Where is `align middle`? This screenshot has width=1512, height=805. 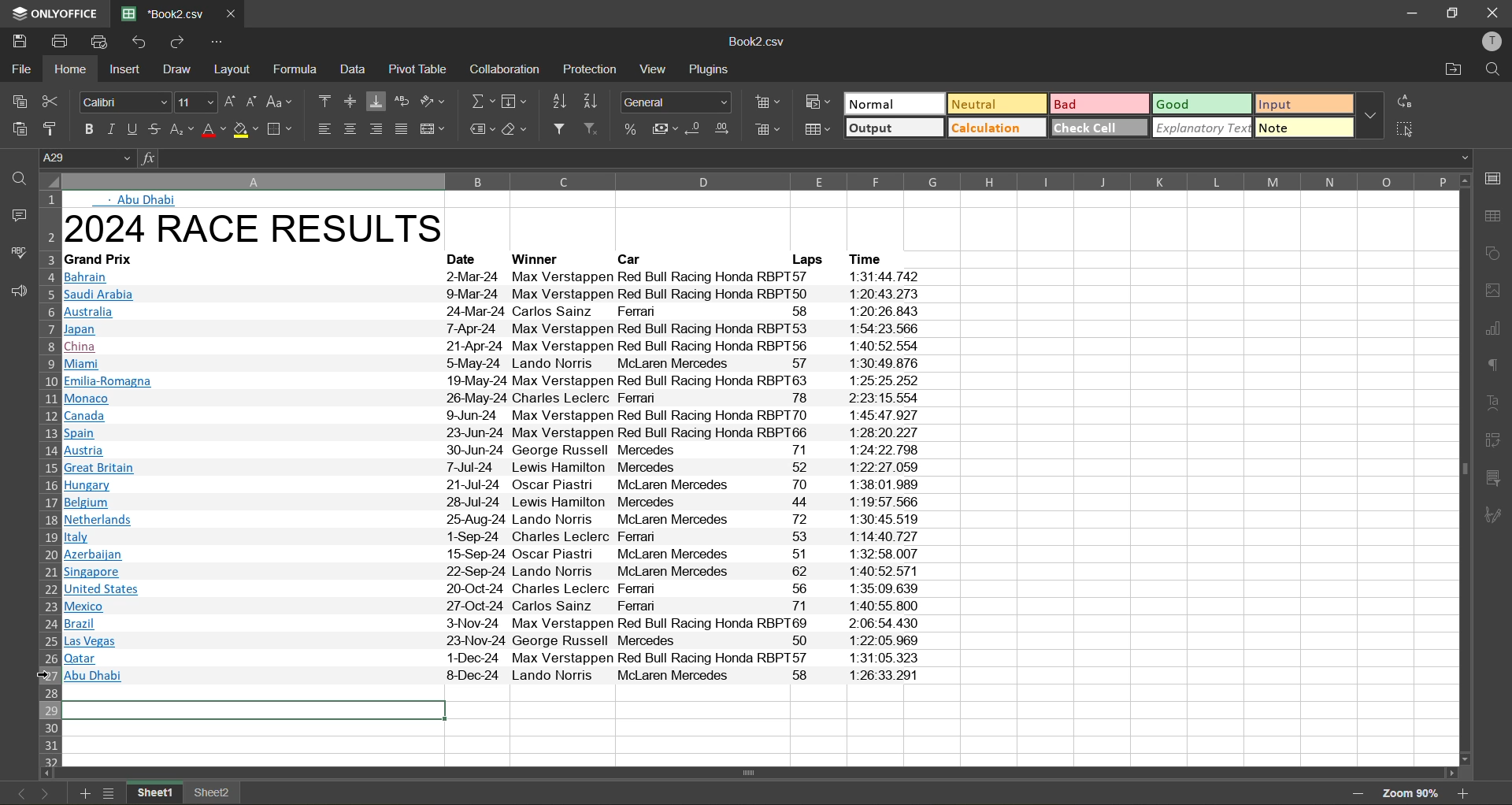 align middle is located at coordinates (354, 101).